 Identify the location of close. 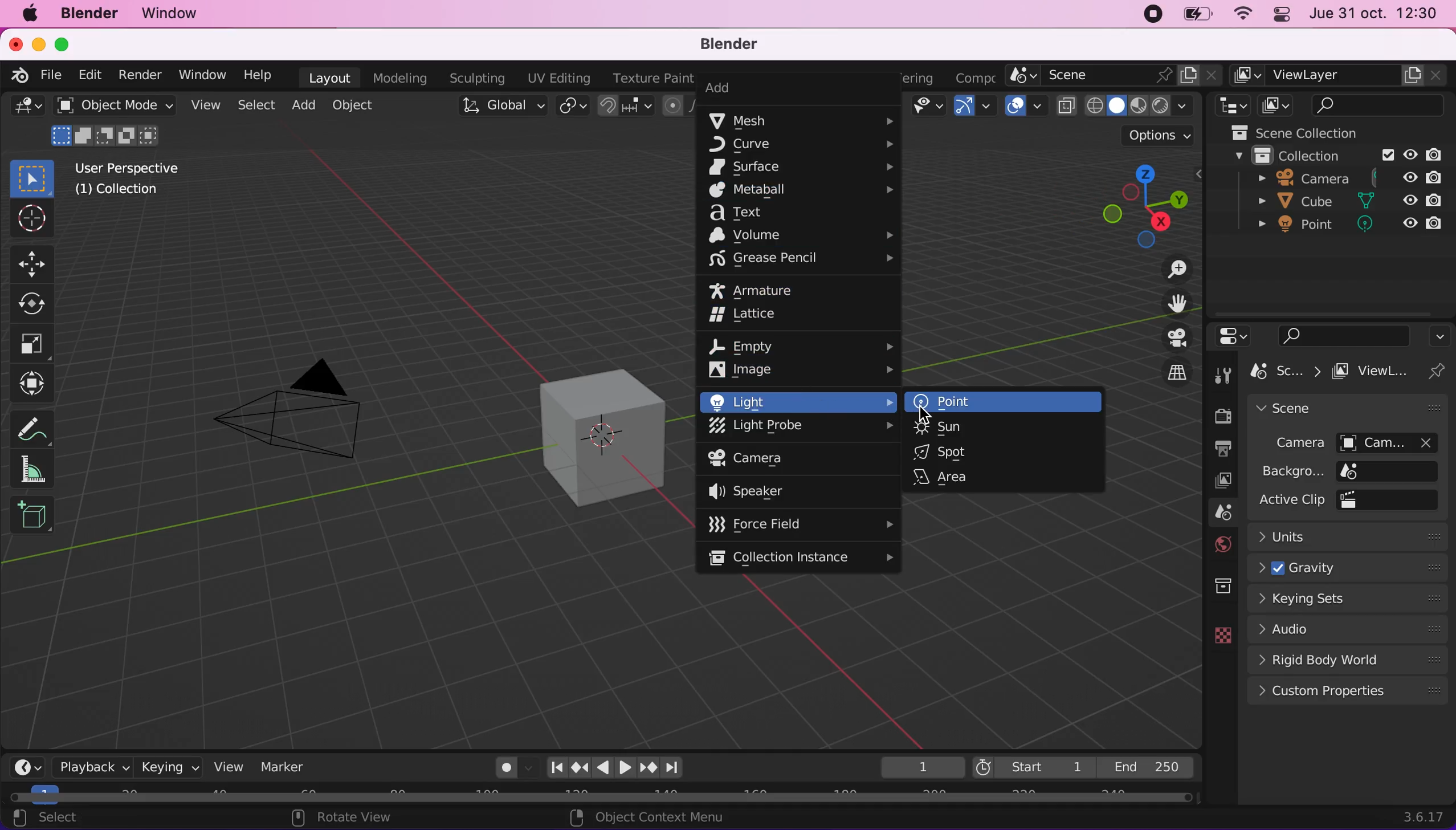
(14, 43).